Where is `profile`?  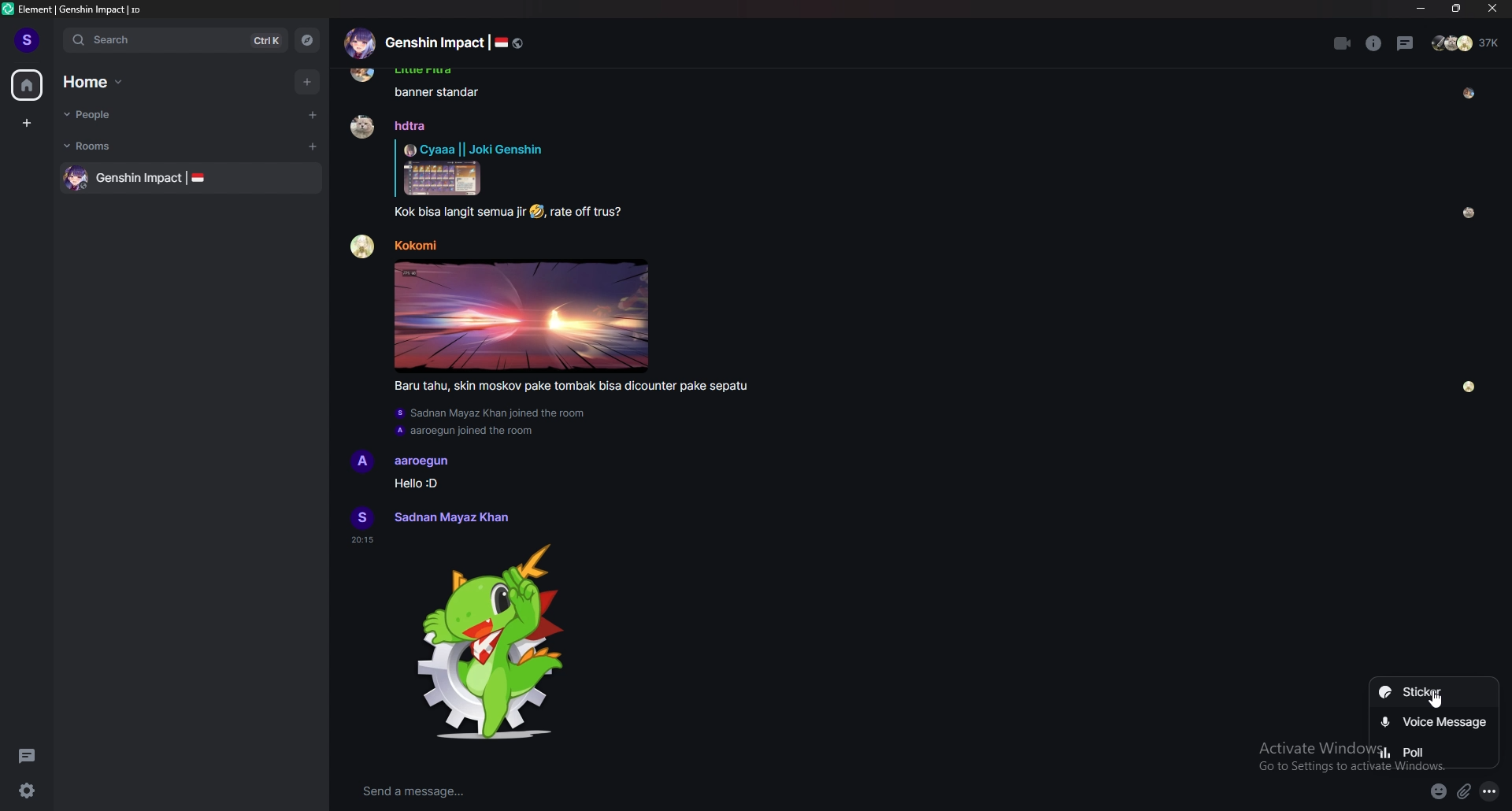 profile is located at coordinates (28, 39).